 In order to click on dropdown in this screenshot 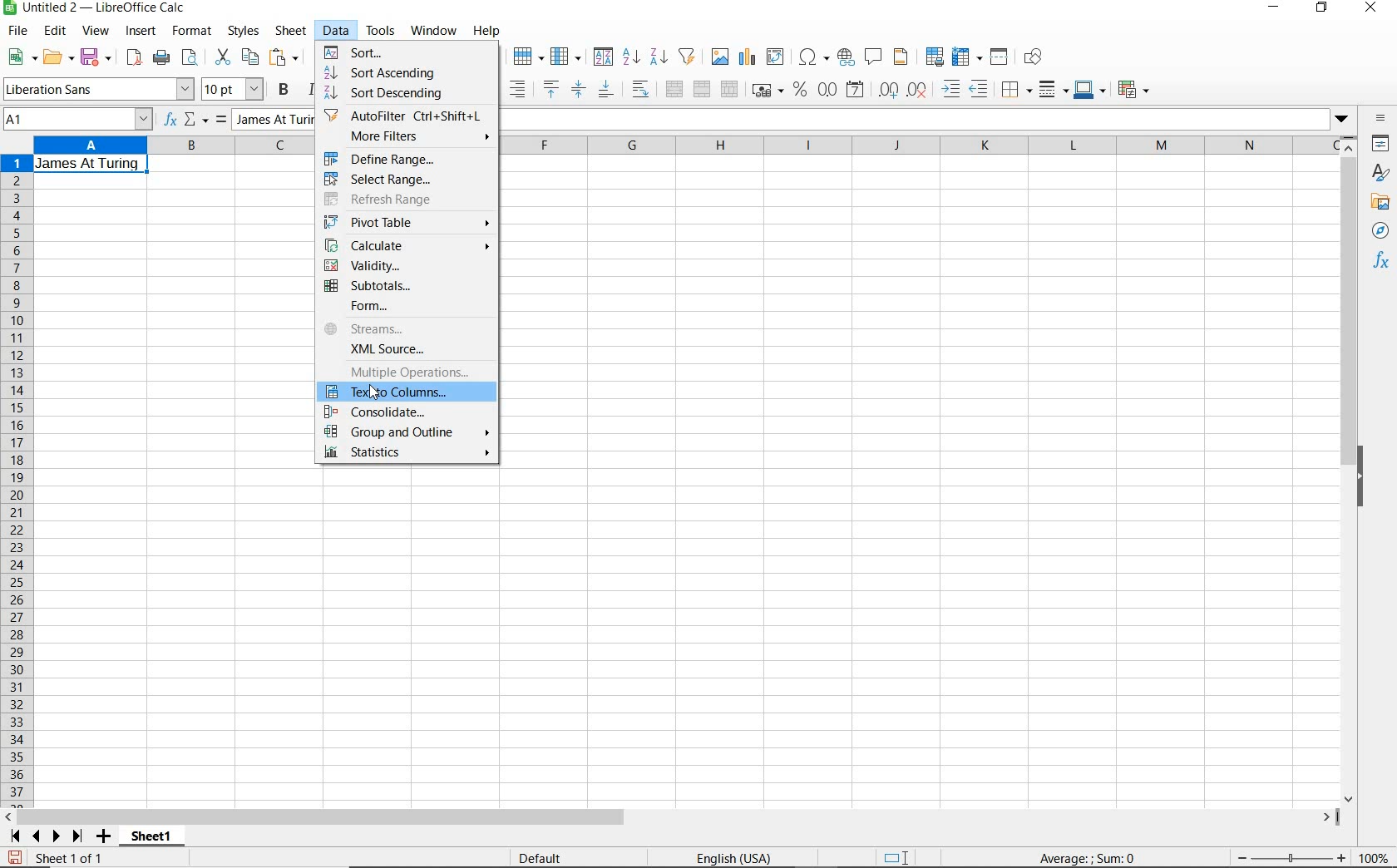, I will do `click(1341, 119)`.